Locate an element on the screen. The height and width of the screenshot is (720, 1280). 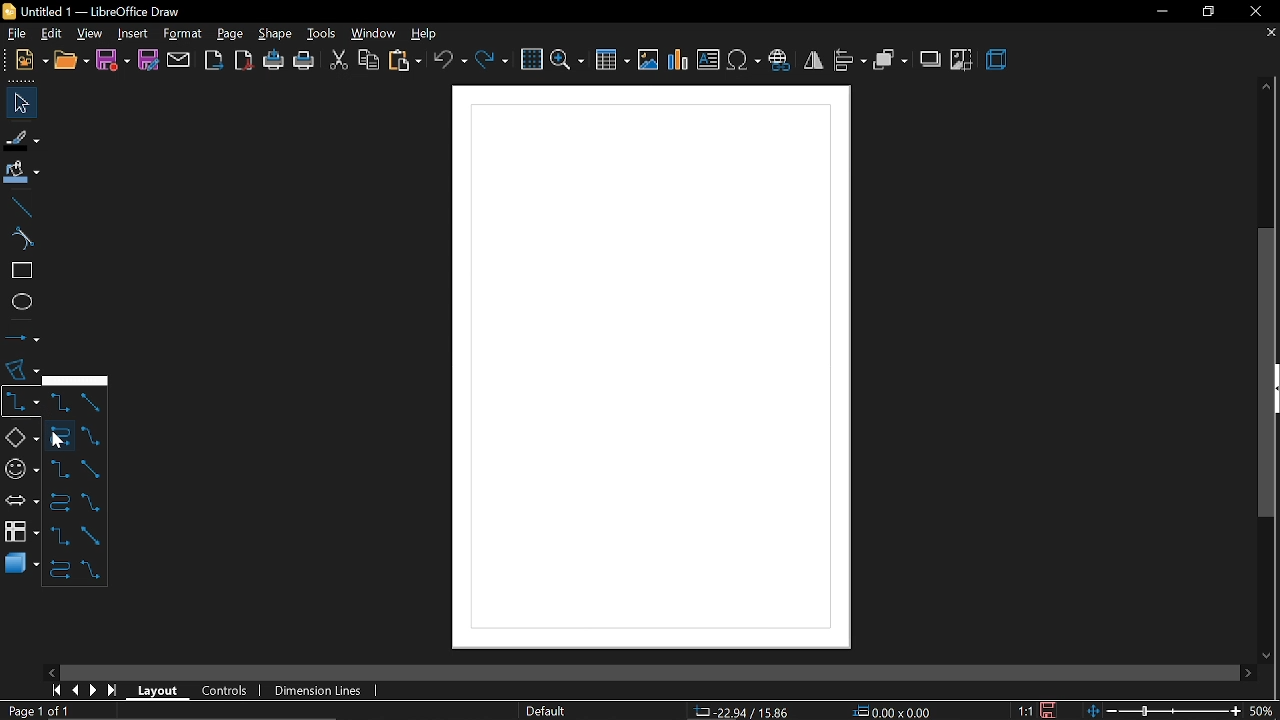
curved connector with arrows is located at coordinates (60, 572).